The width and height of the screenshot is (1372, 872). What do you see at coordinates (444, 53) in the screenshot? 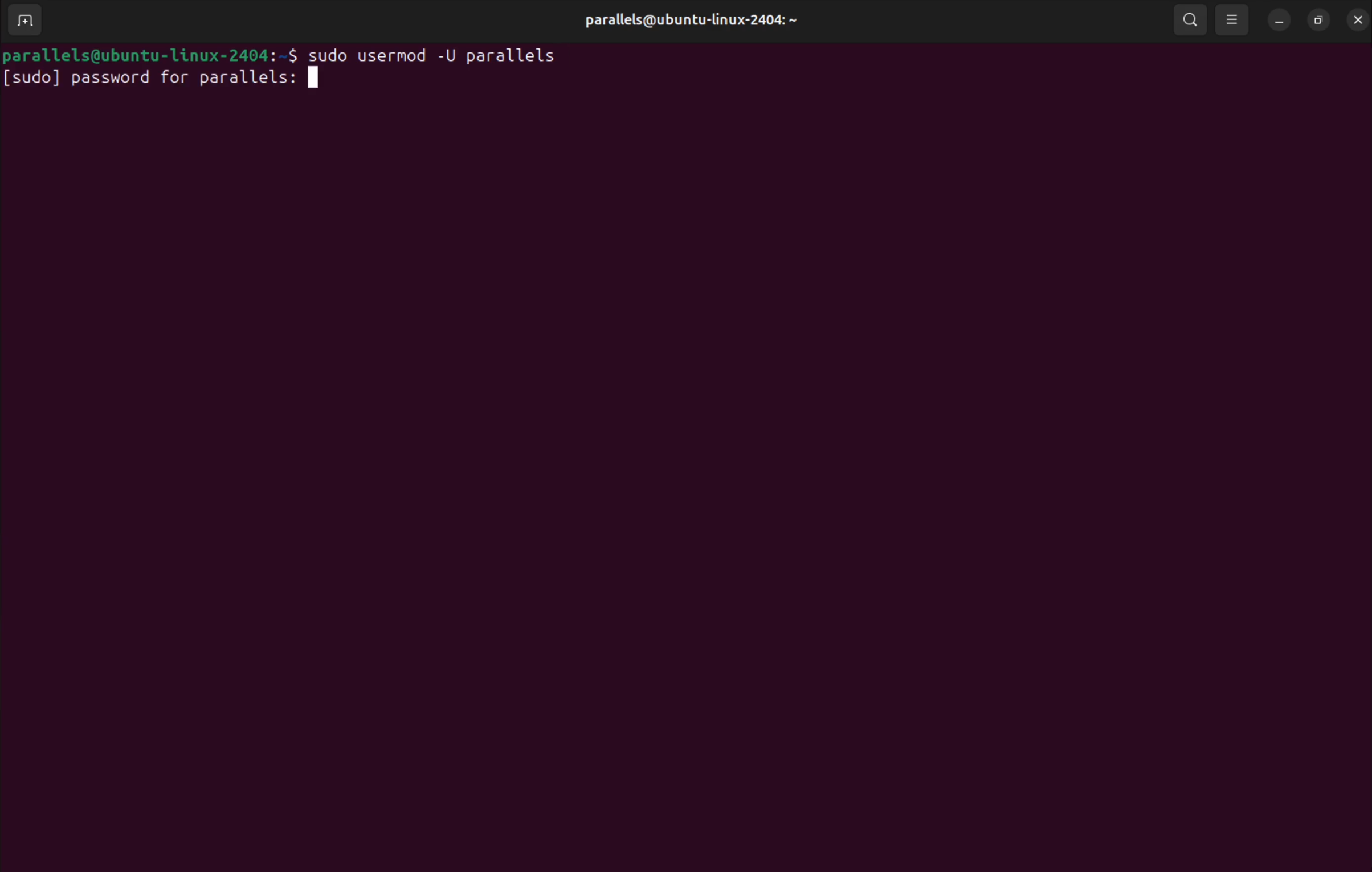
I see `sudo usermod  -U username` at bounding box center [444, 53].